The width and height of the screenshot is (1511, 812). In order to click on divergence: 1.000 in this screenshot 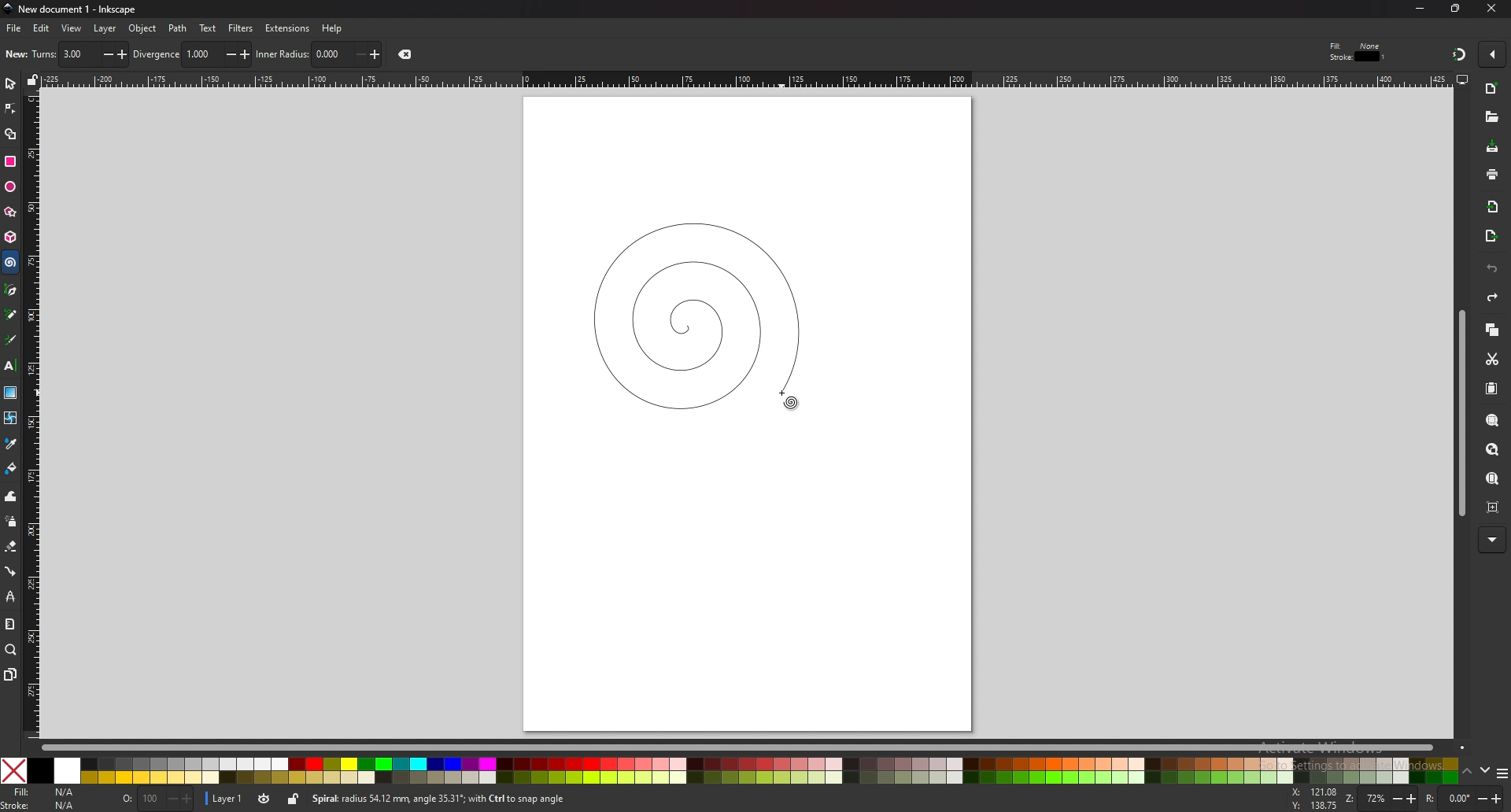, I will do `click(192, 54)`.